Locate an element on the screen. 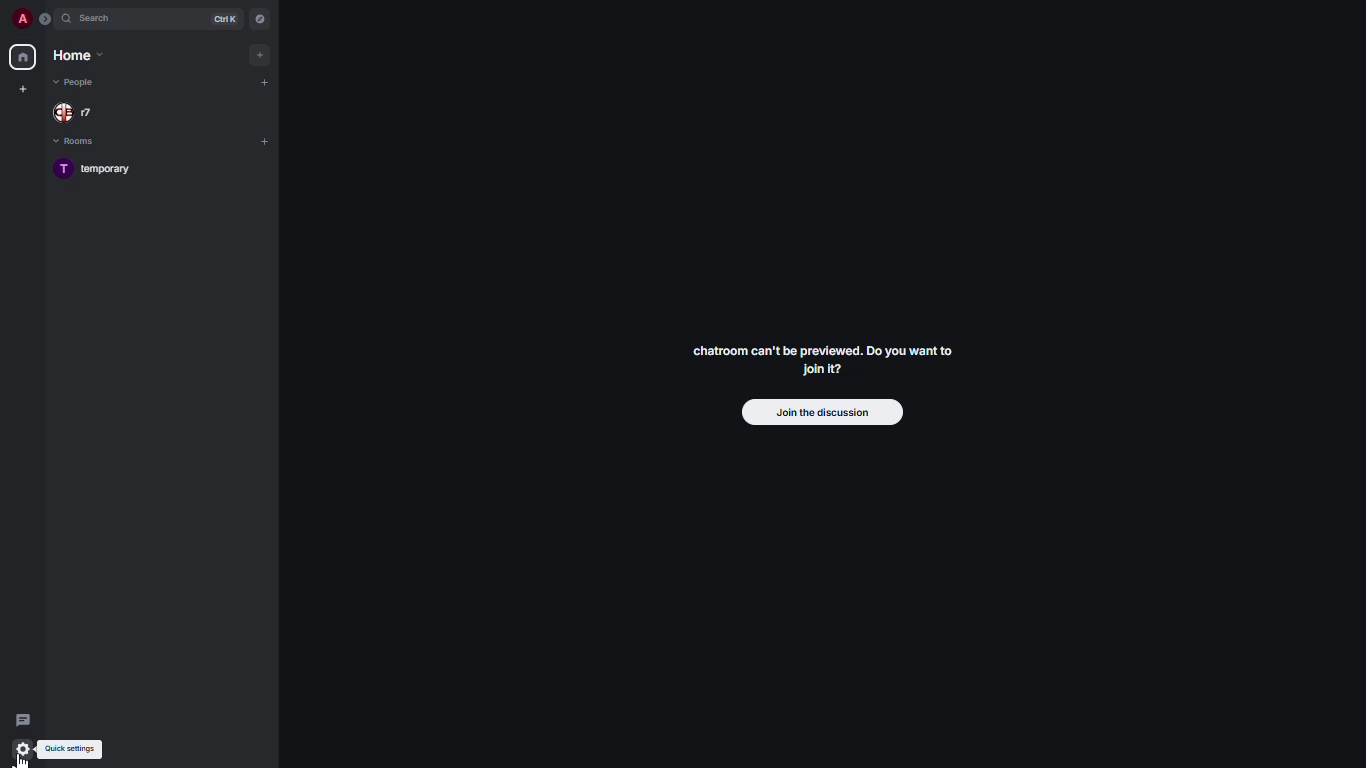 The image size is (1366, 768). search is located at coordinates (98, 19).